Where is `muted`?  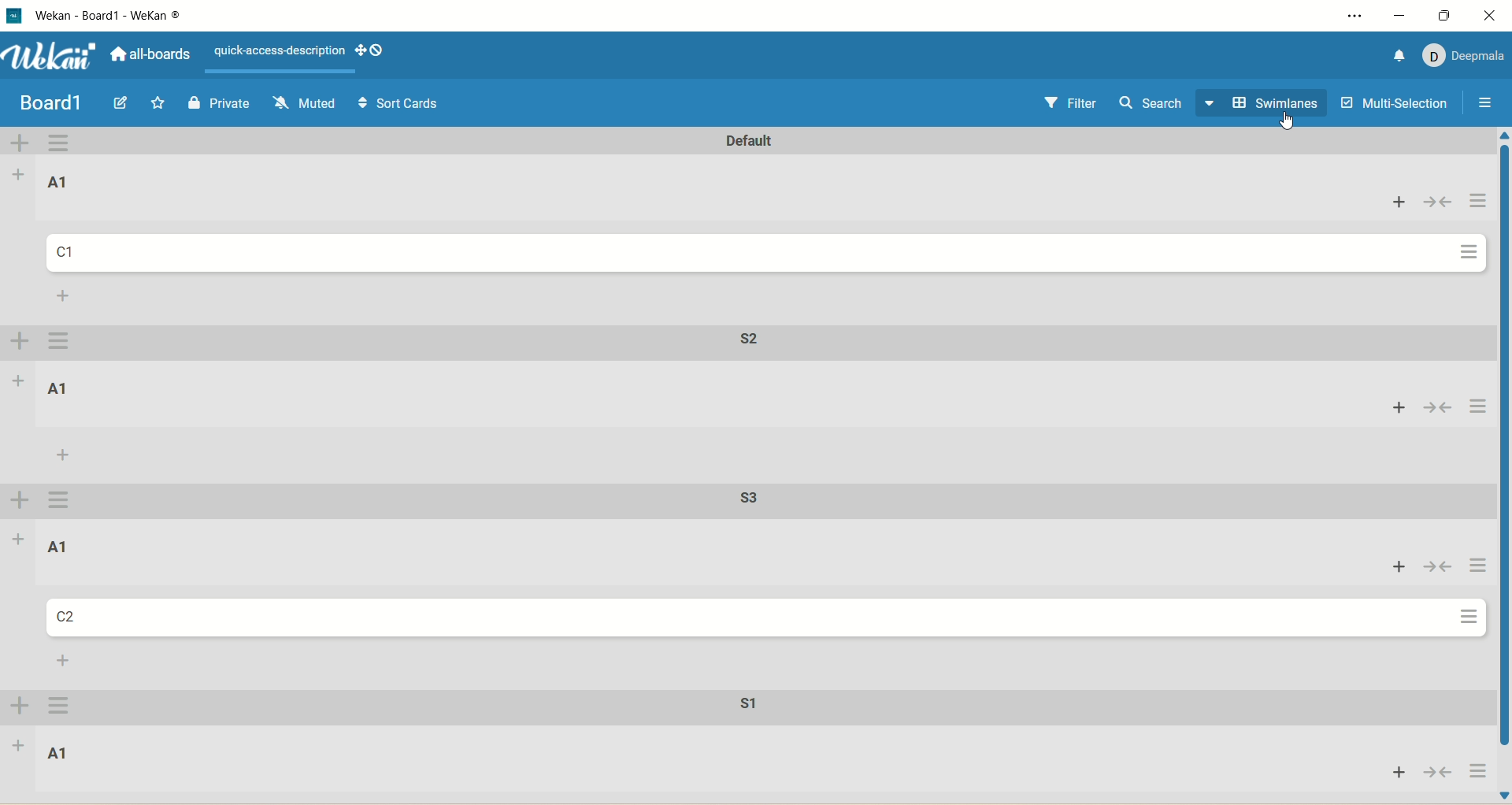 muted is located at coordinates (302, 102).